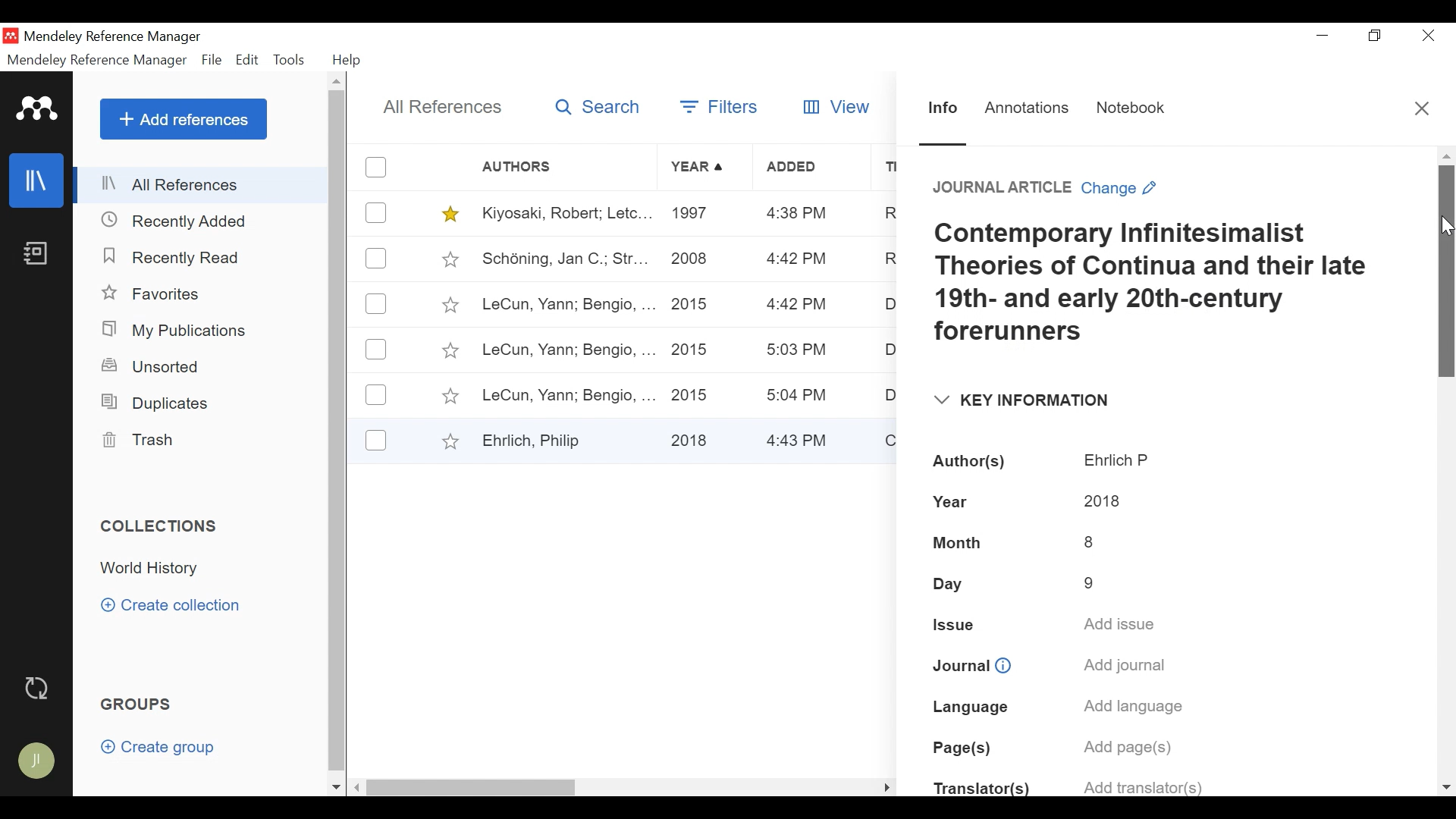 The height and width of the screenshot is (819, 1456). What do you see at coordinates (1447, 227) in the screenshot?
I see `Cursor` at bounding box center [1447, 227].